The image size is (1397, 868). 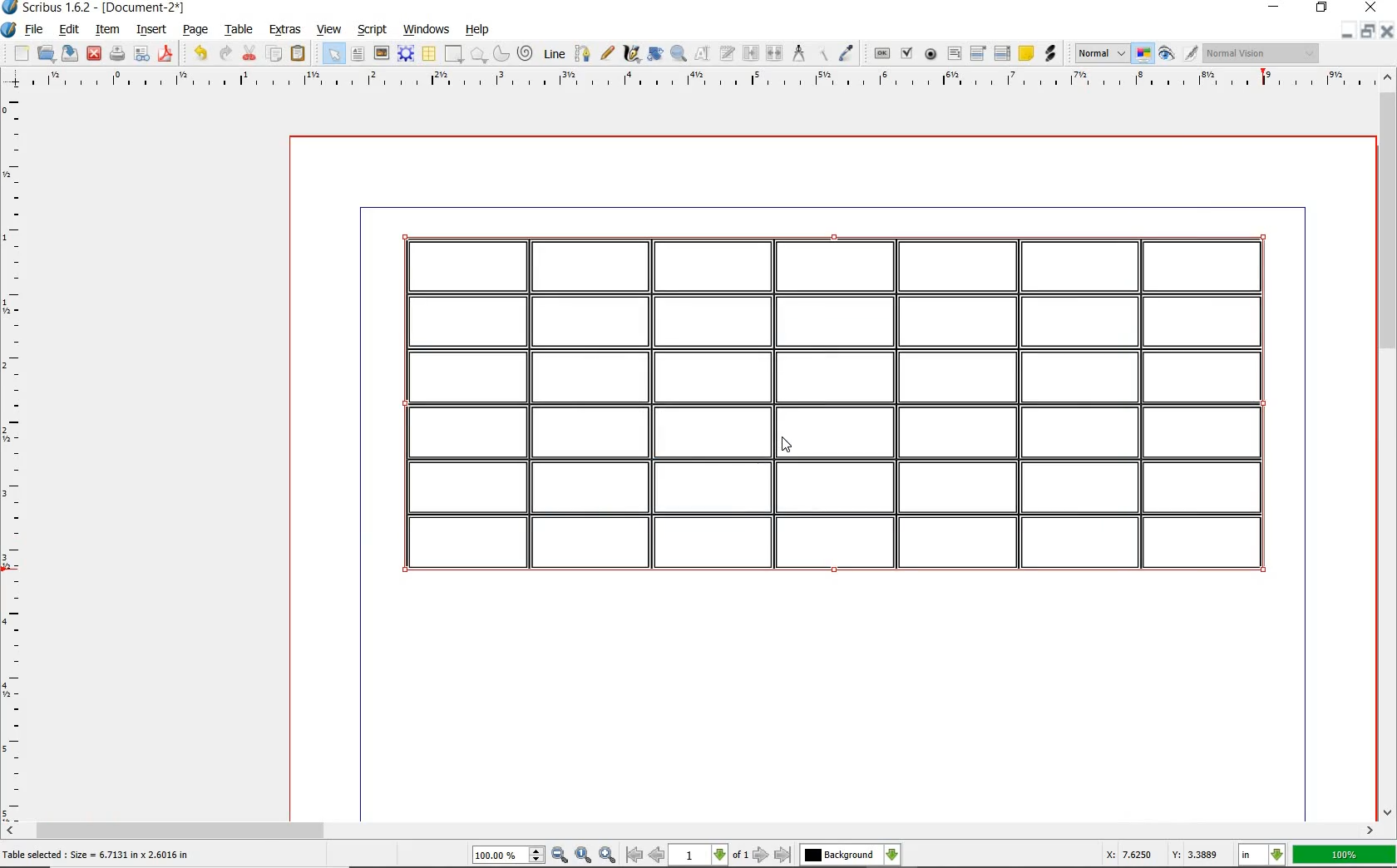 I want to click on eye dropper, so click(x=846, y=52).